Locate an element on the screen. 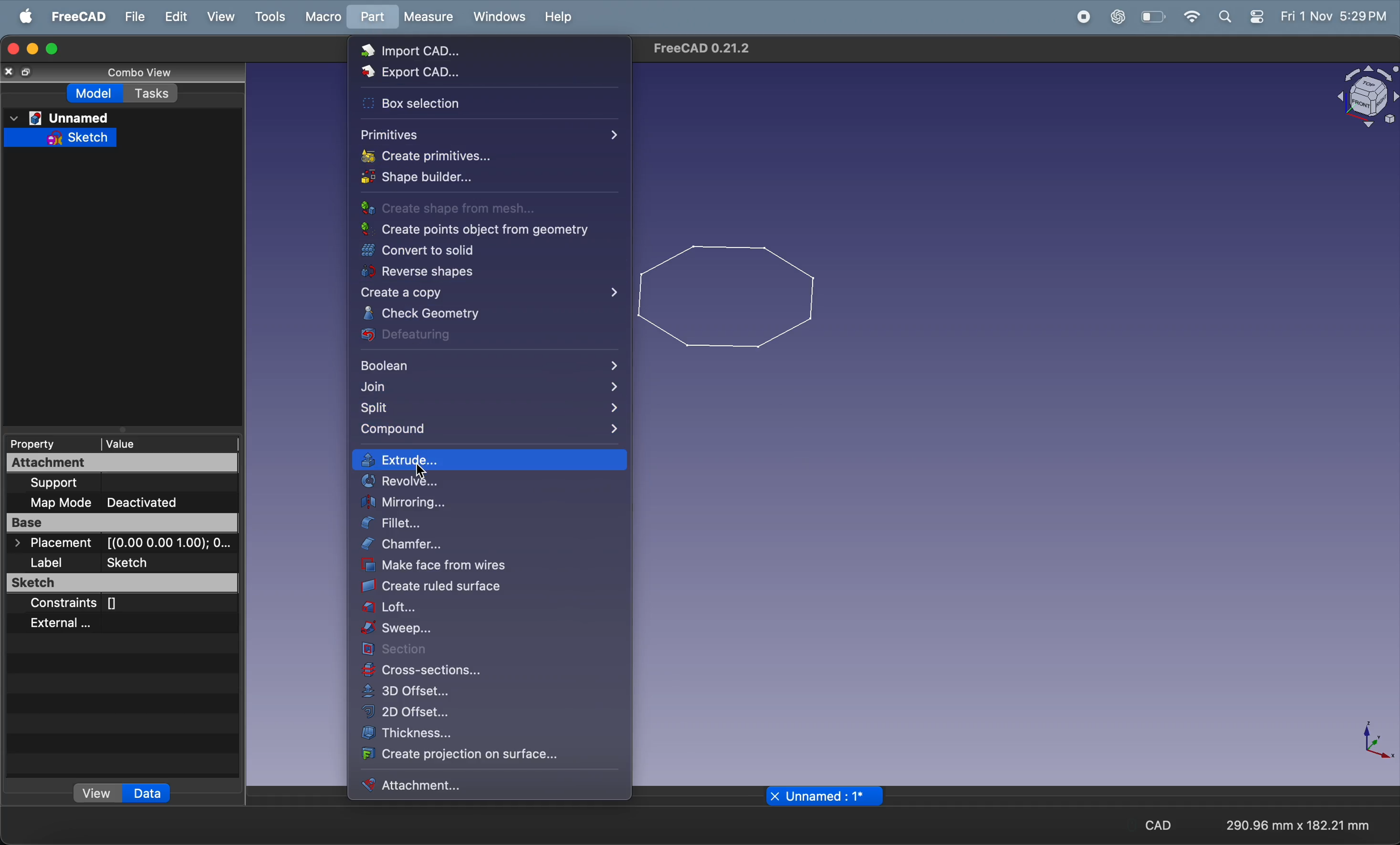 The width and height of the screenshot is (1400, 845). loft is located at coordinates (484, 609).